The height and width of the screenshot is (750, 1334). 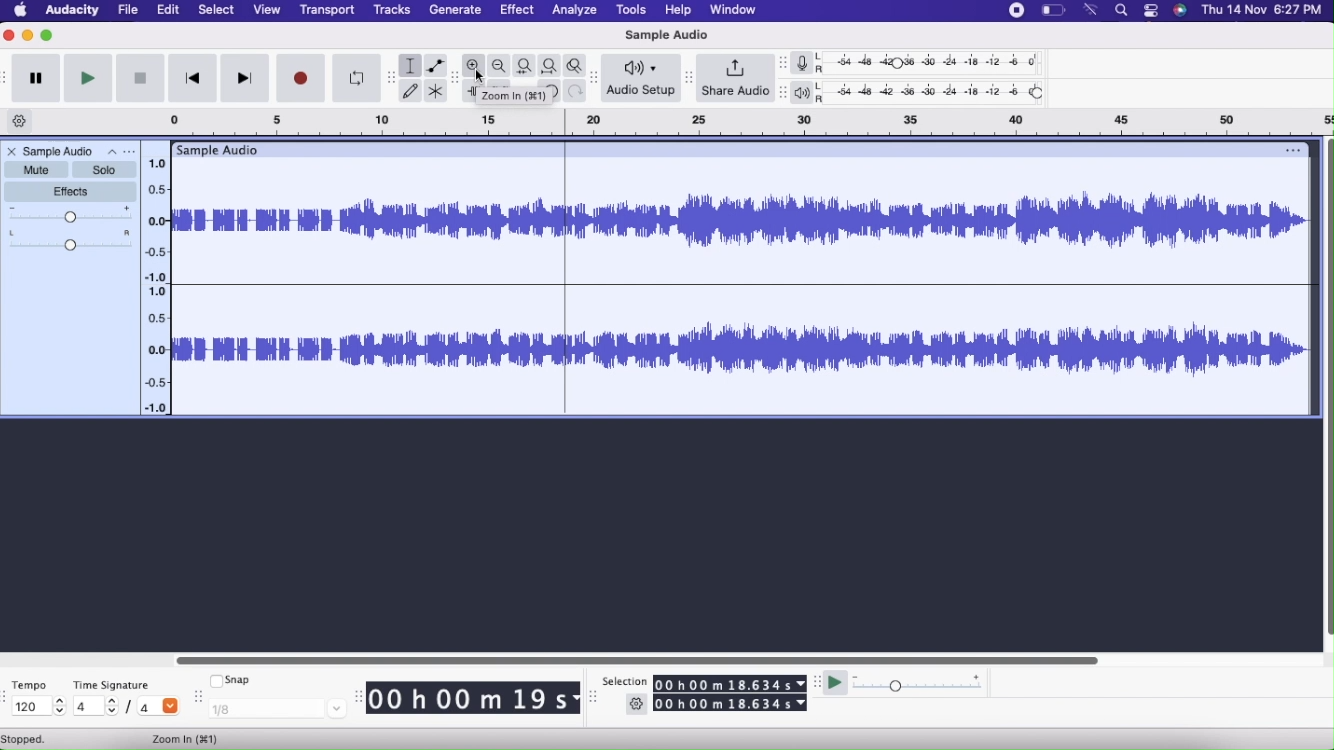 I want to click on Minimize, so click(x=29, y=37).